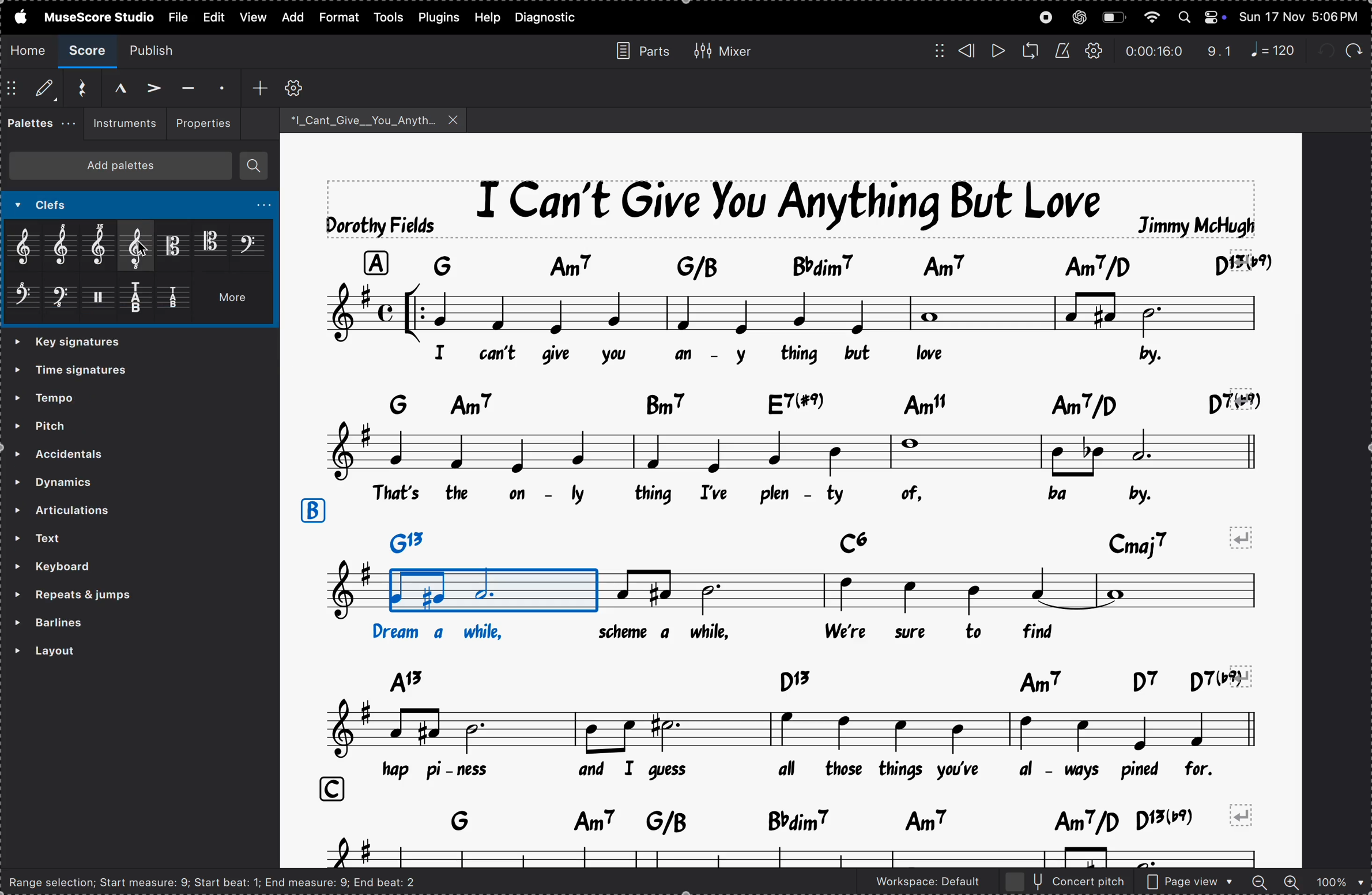 The height and width of the screenshot is (895, 1372). Describe the element at coordinates (1079, 17) in the screenshot. I see `chatgpt` at that location.